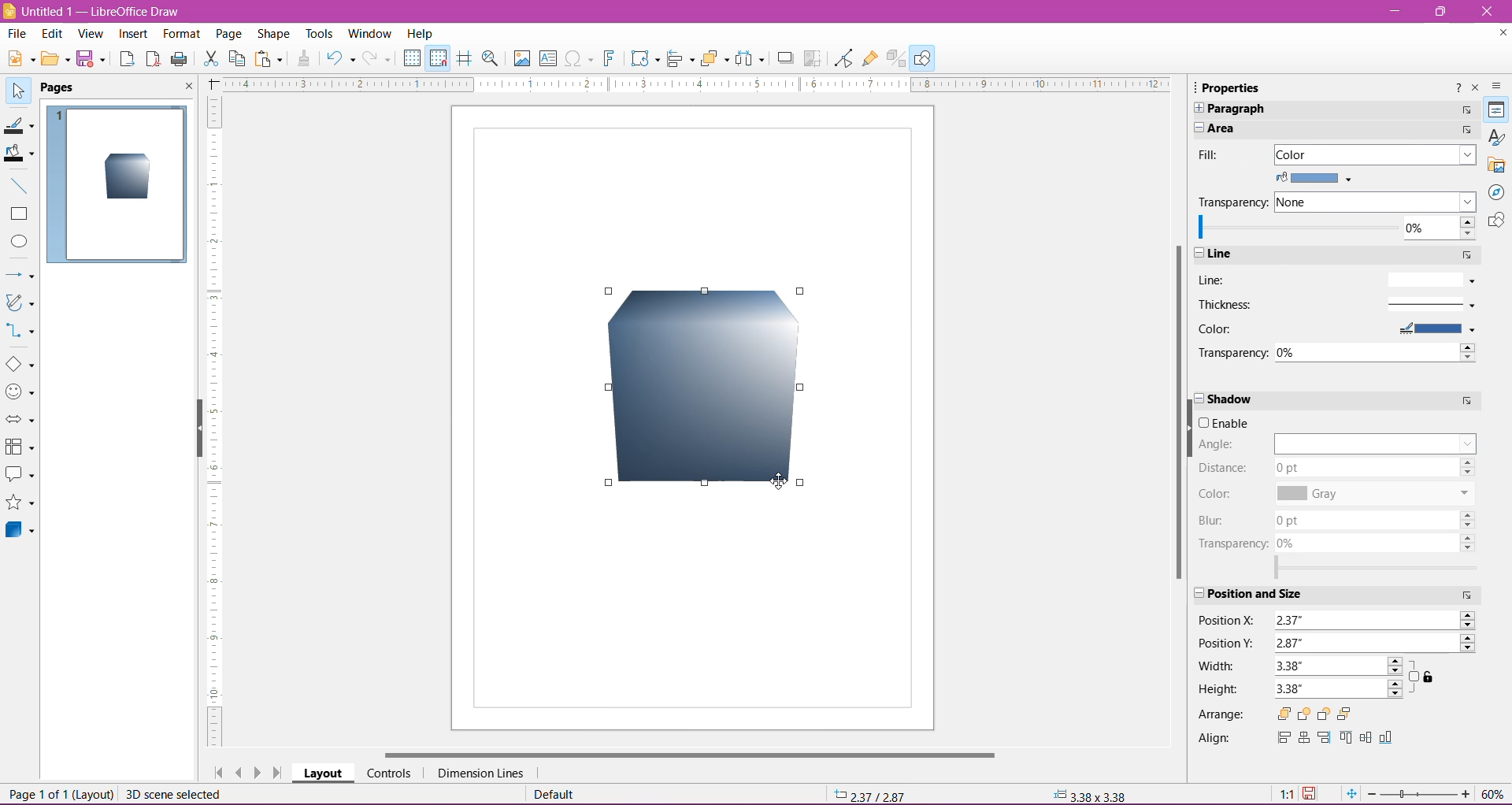  I want to click on Specify the transparency of the line, so click(1377, 351).